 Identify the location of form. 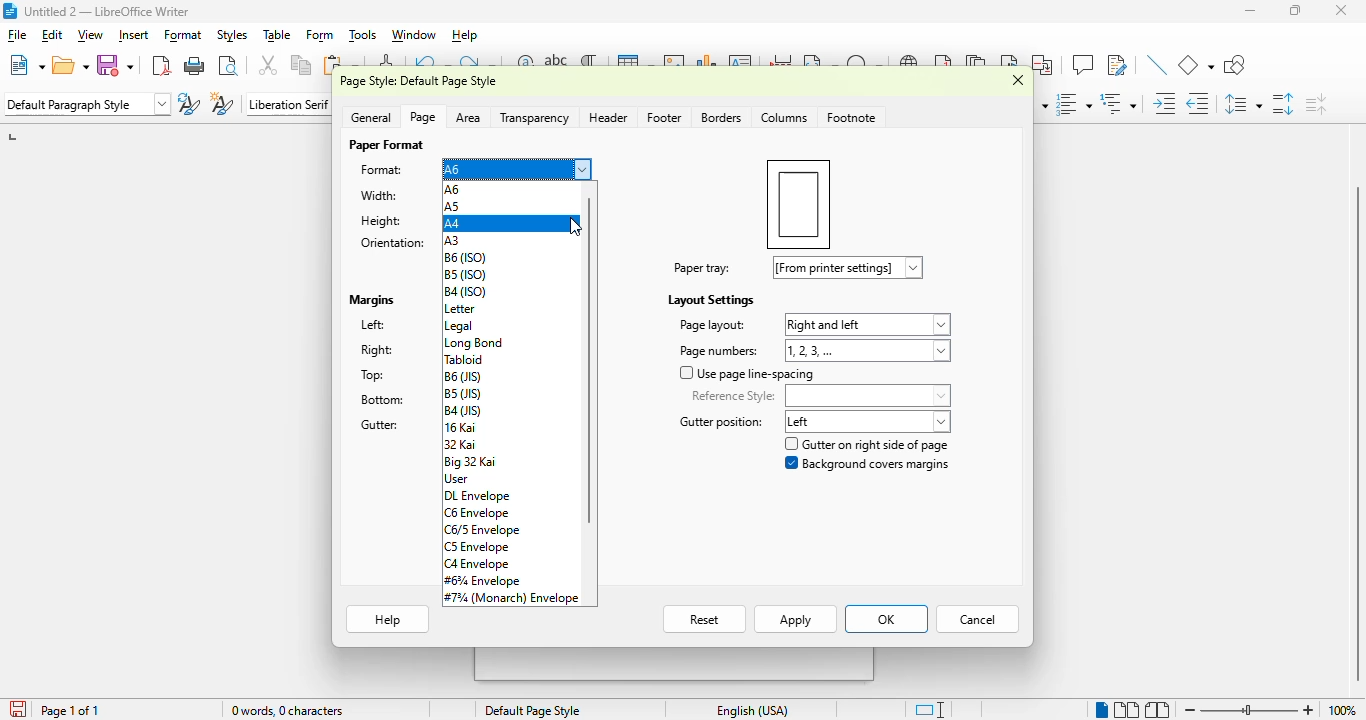
(319, 35).